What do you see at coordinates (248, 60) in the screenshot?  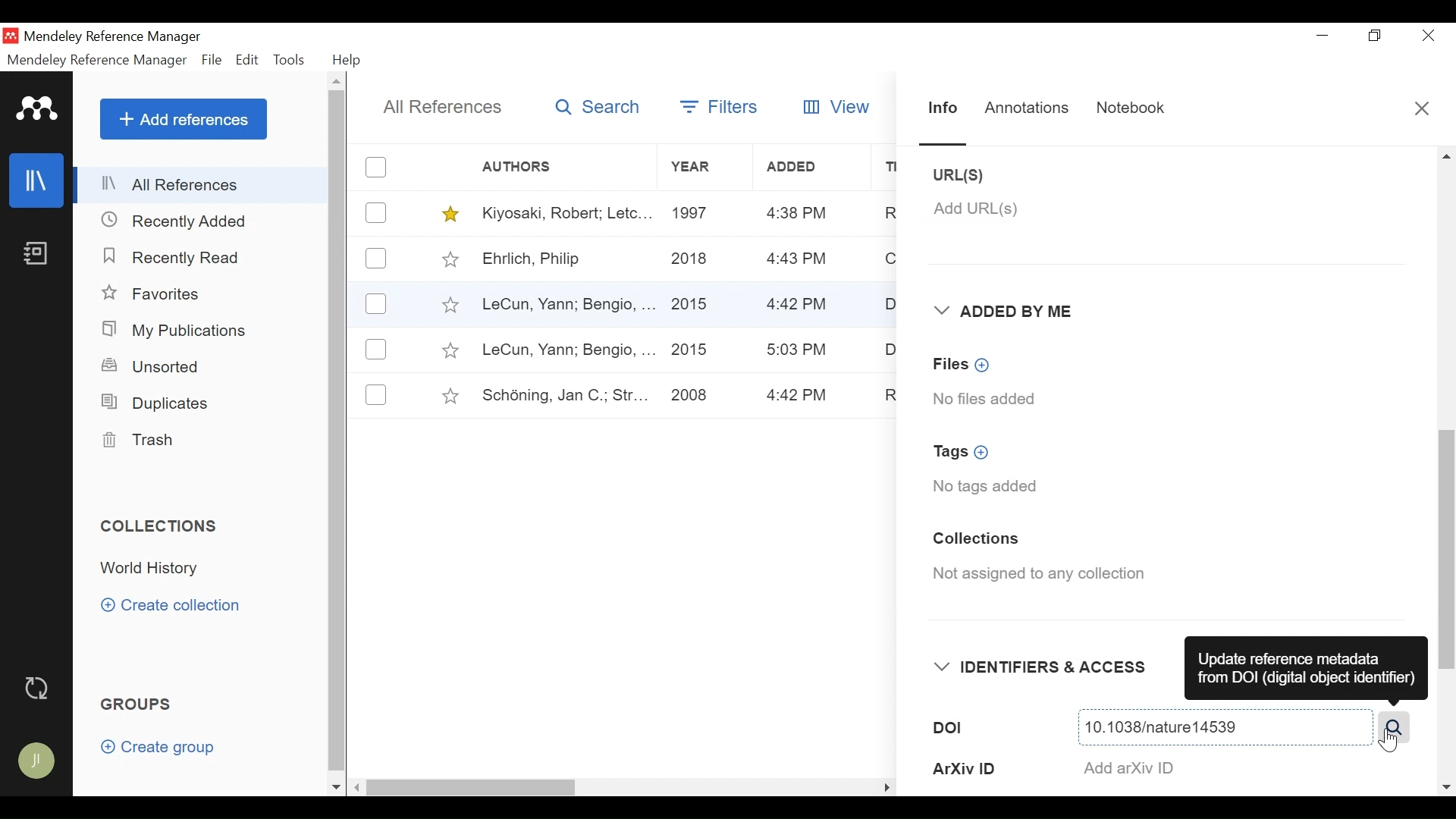 I see `Edit` at bounding box center [248, 60].